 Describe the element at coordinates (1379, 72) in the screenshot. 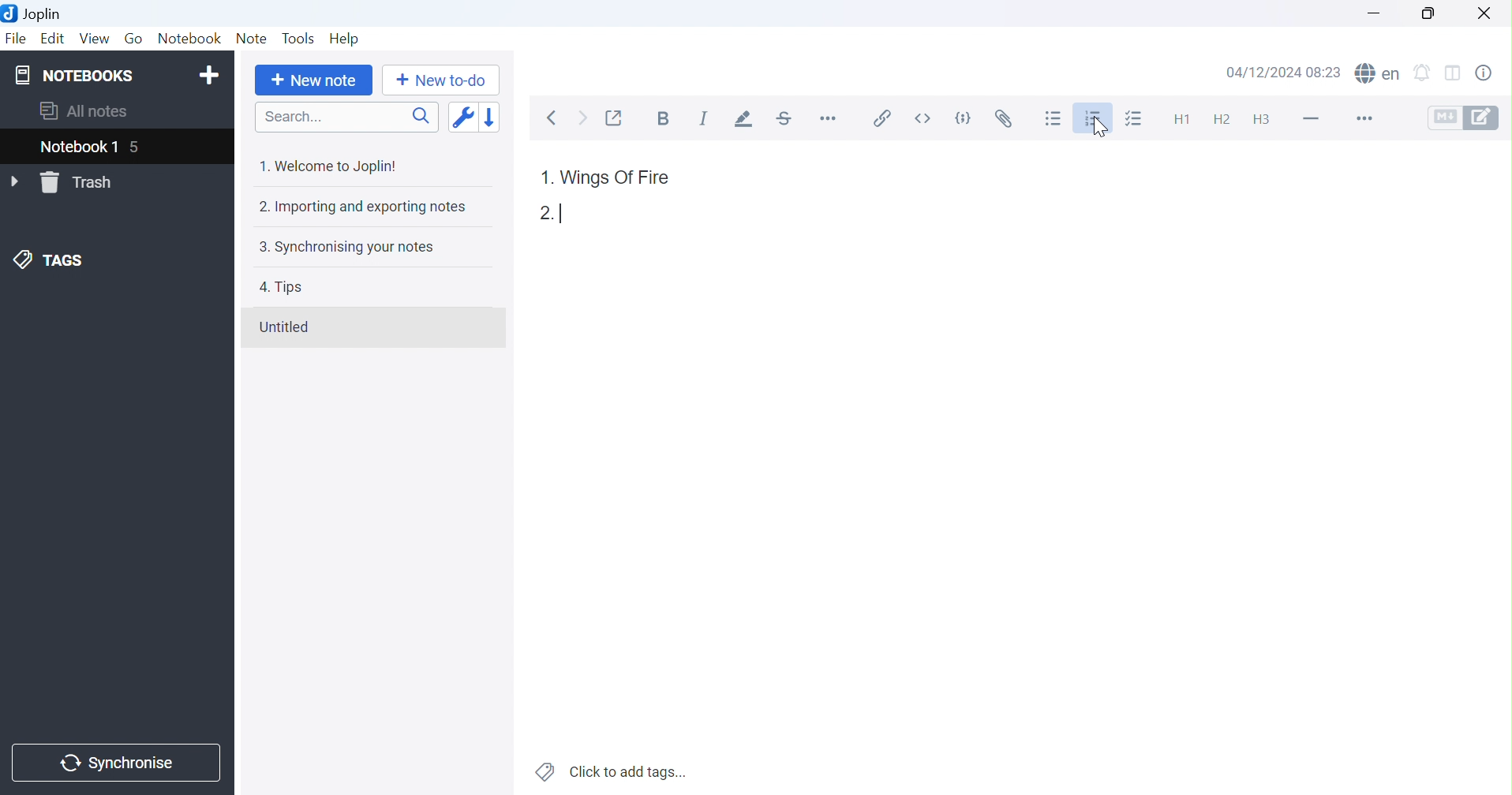

I see `Spell checker` at that location.